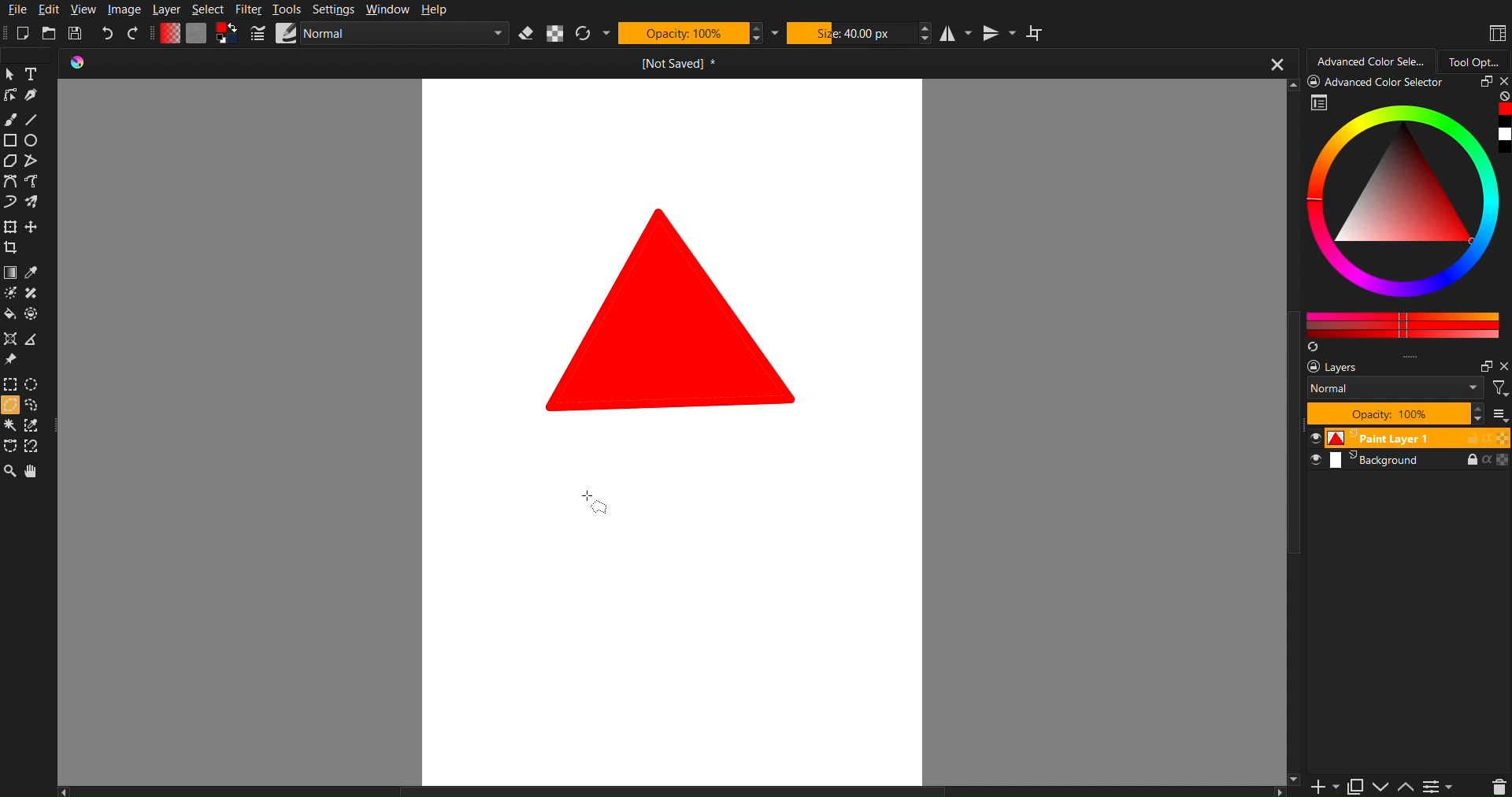 This screenshot has height=797, width=1512. What do you see at coordinates (9, 384) in the screenshot?
I see `Selection square` at bounding box center [9, 384].